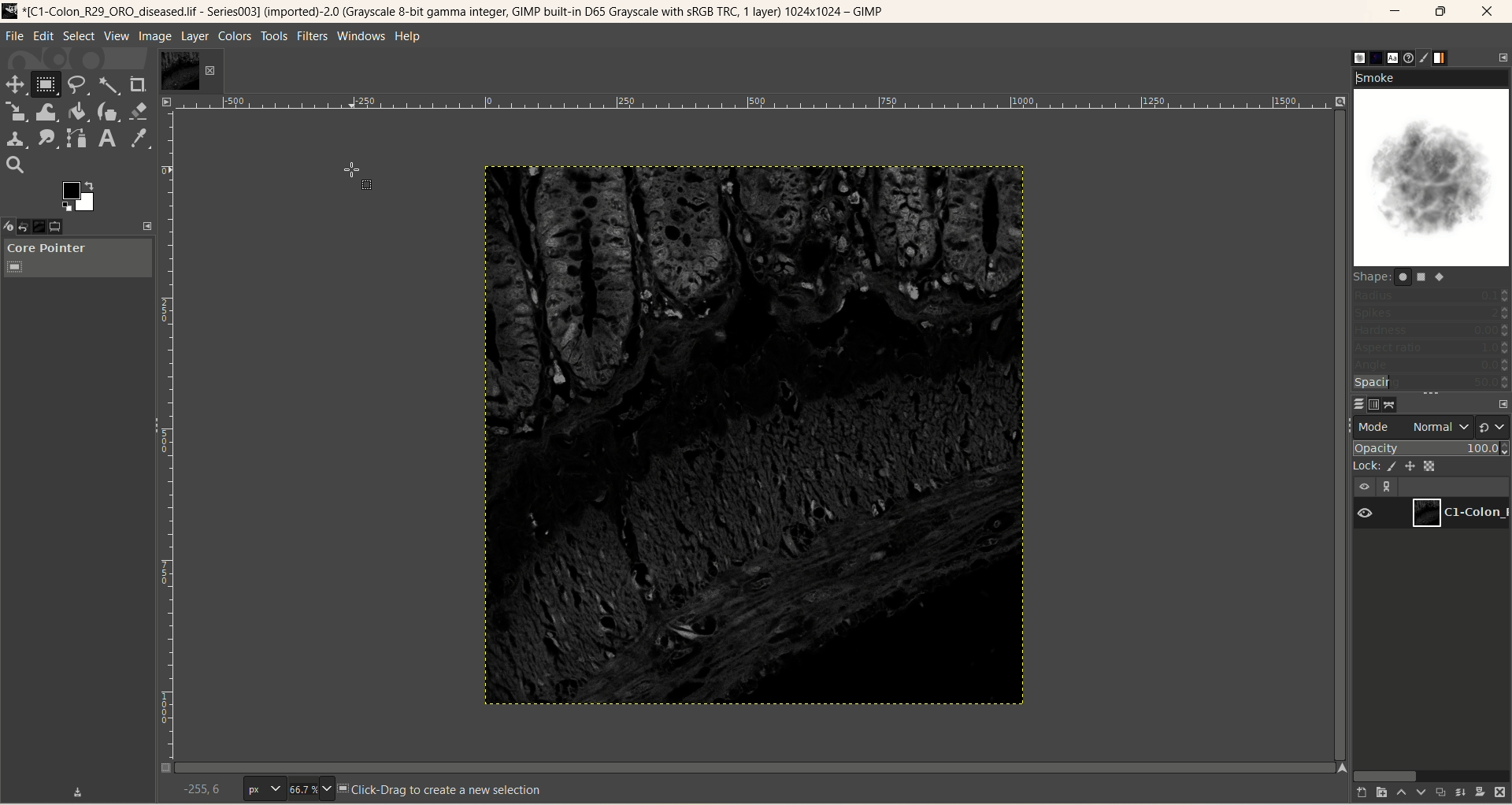 The height and width of the screenshot is (805, 1512). I want to click on layer1, so click(1462, 513).